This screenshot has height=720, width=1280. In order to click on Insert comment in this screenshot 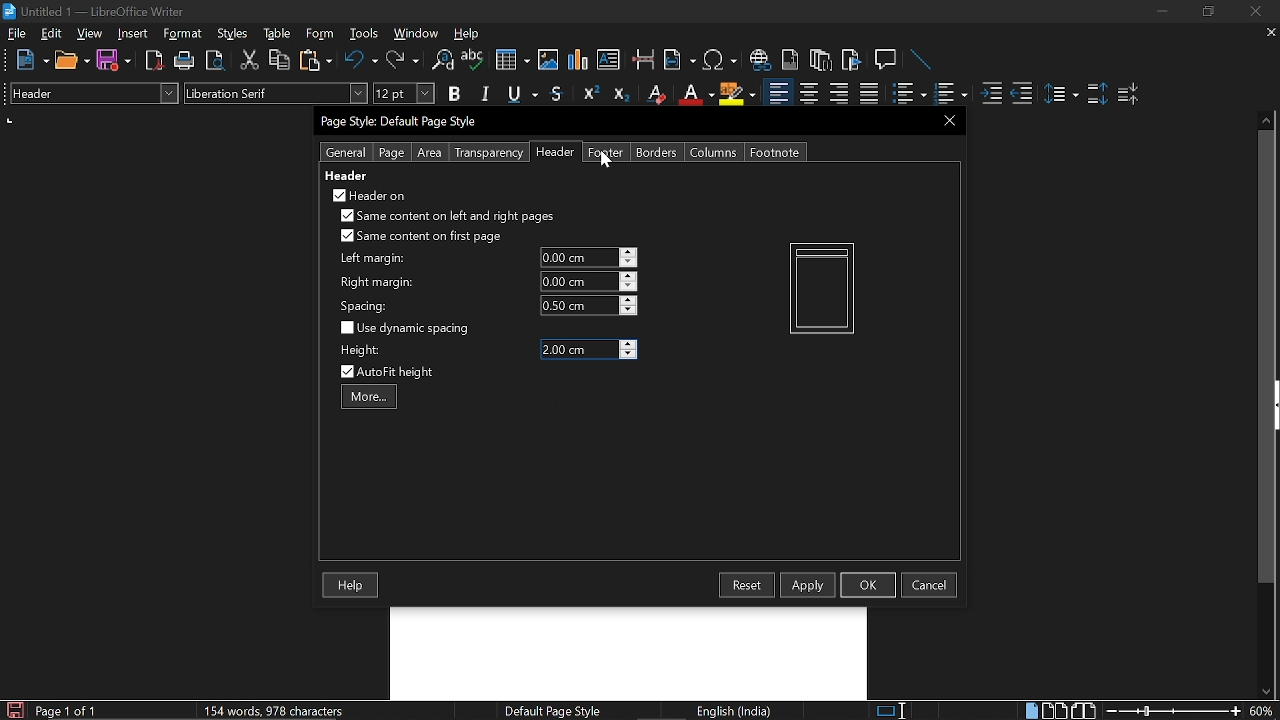, I will do `click(888, 60)`.